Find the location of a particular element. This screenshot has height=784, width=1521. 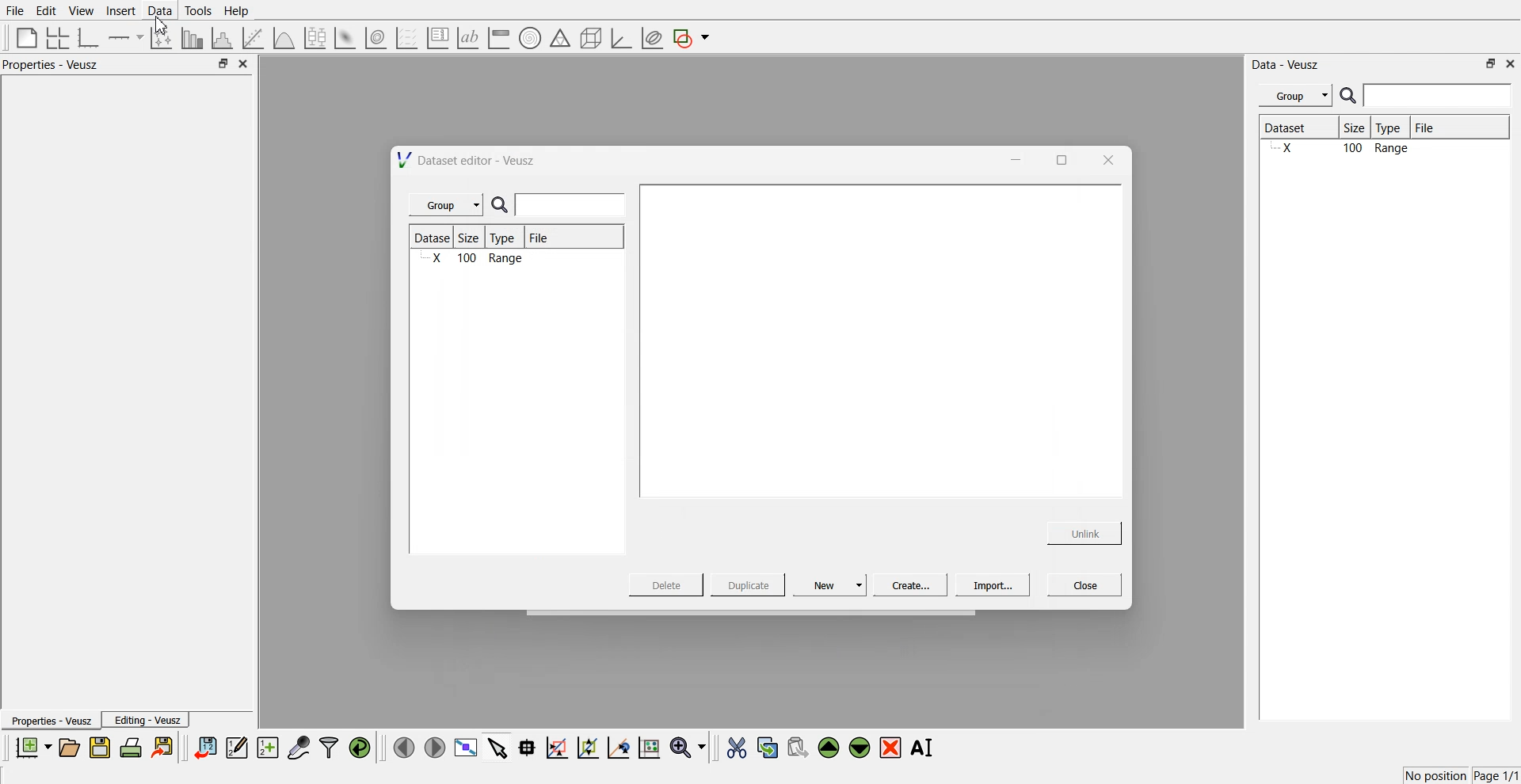

No position is located at coordinates (1438, 774).